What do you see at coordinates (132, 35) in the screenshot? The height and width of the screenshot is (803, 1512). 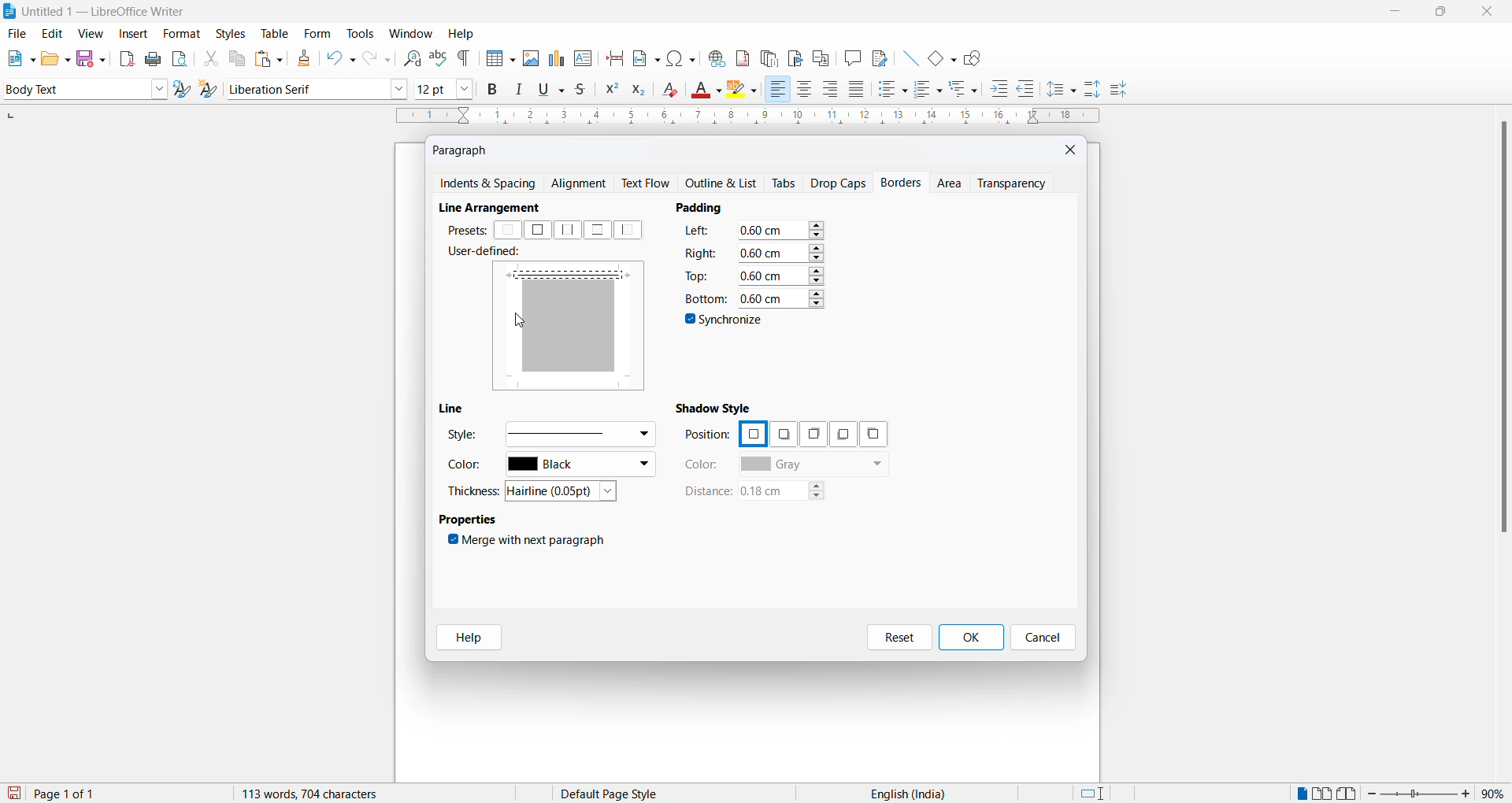 I see `insert` at bounding box center [132, 35].